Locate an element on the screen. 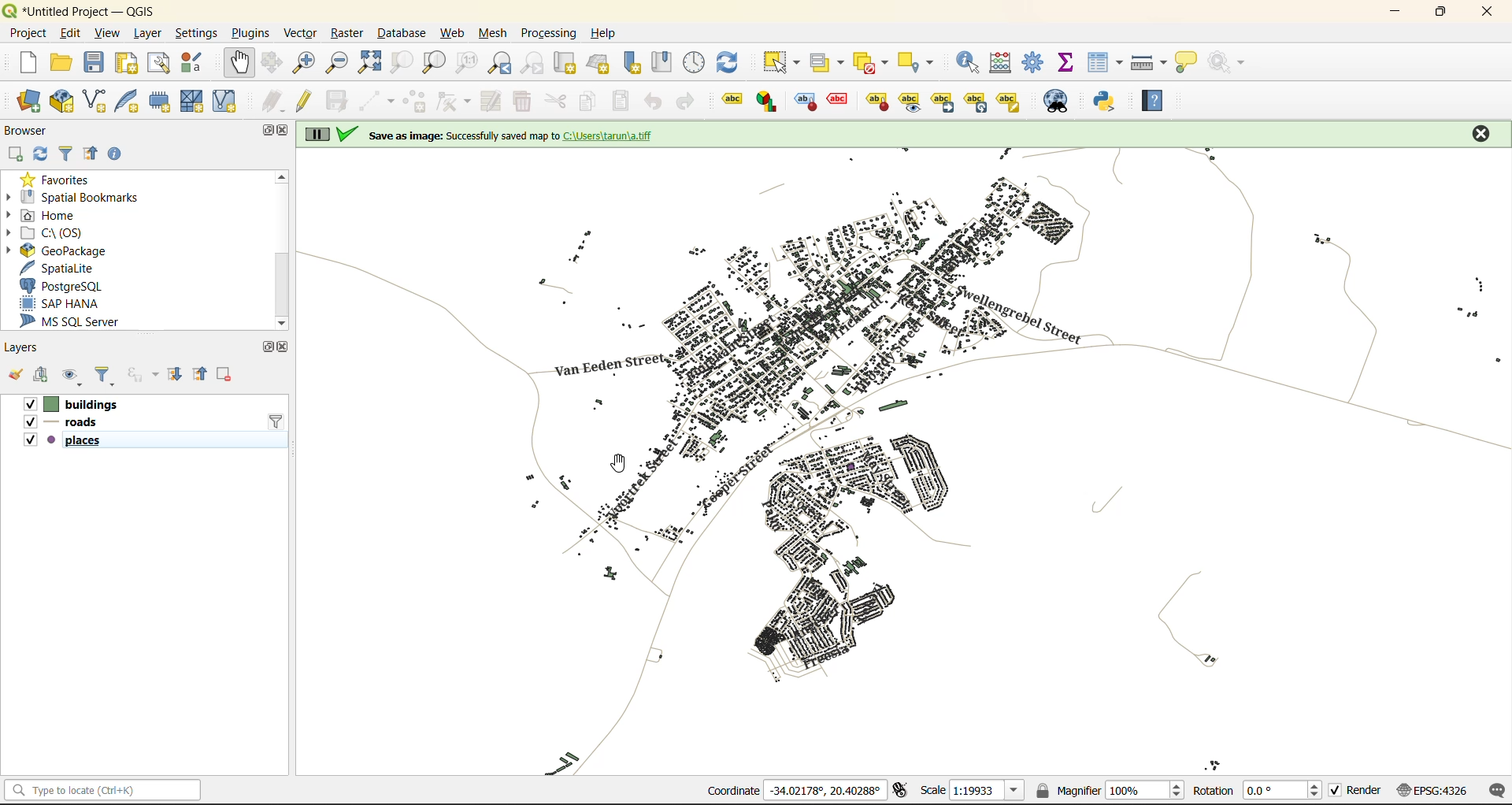 This screenshot has height=805, width=1512. remove is located at coordinates (226, 374).